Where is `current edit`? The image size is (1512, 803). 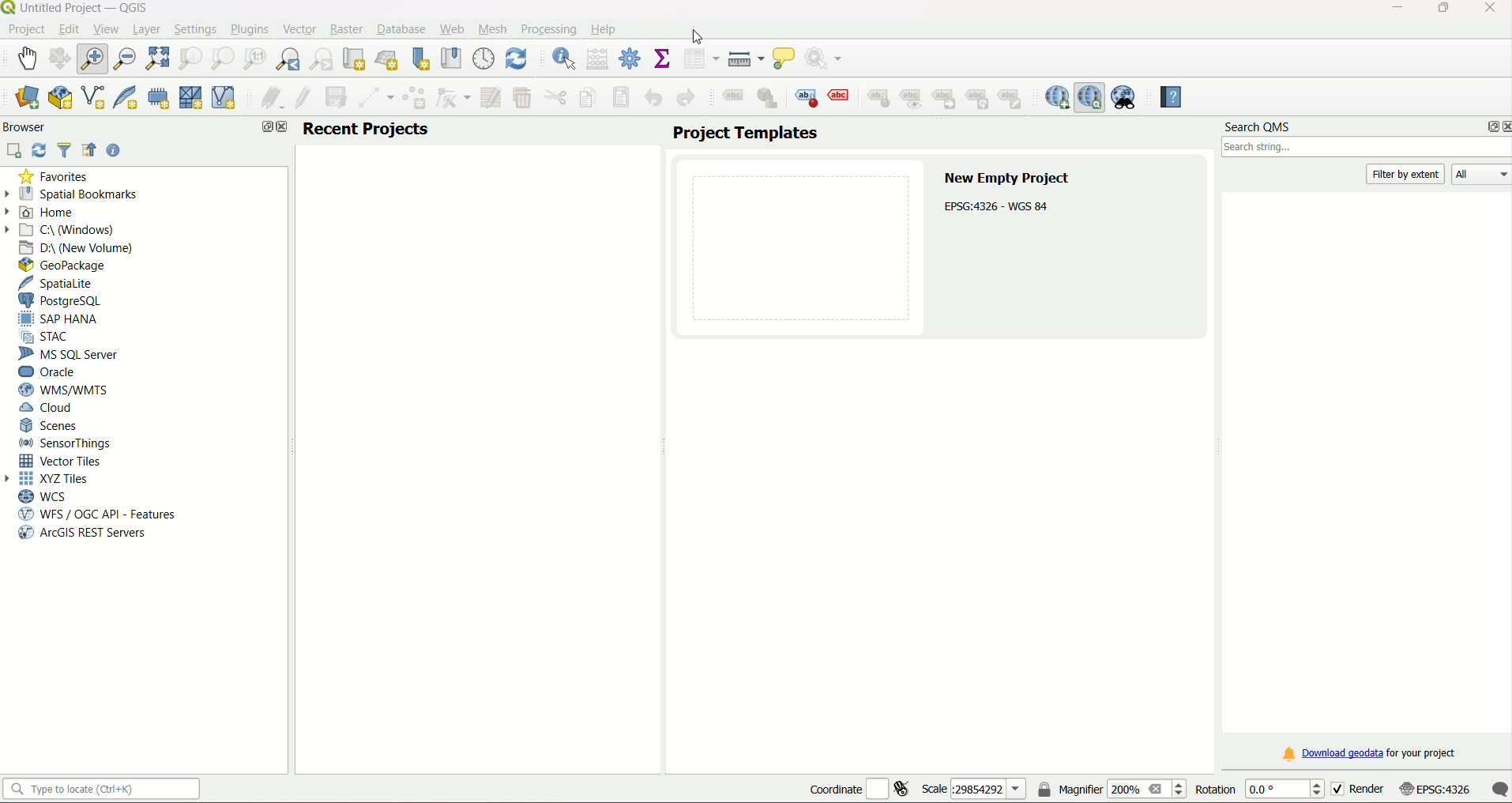 current edit is located at coordinates (268, 99).